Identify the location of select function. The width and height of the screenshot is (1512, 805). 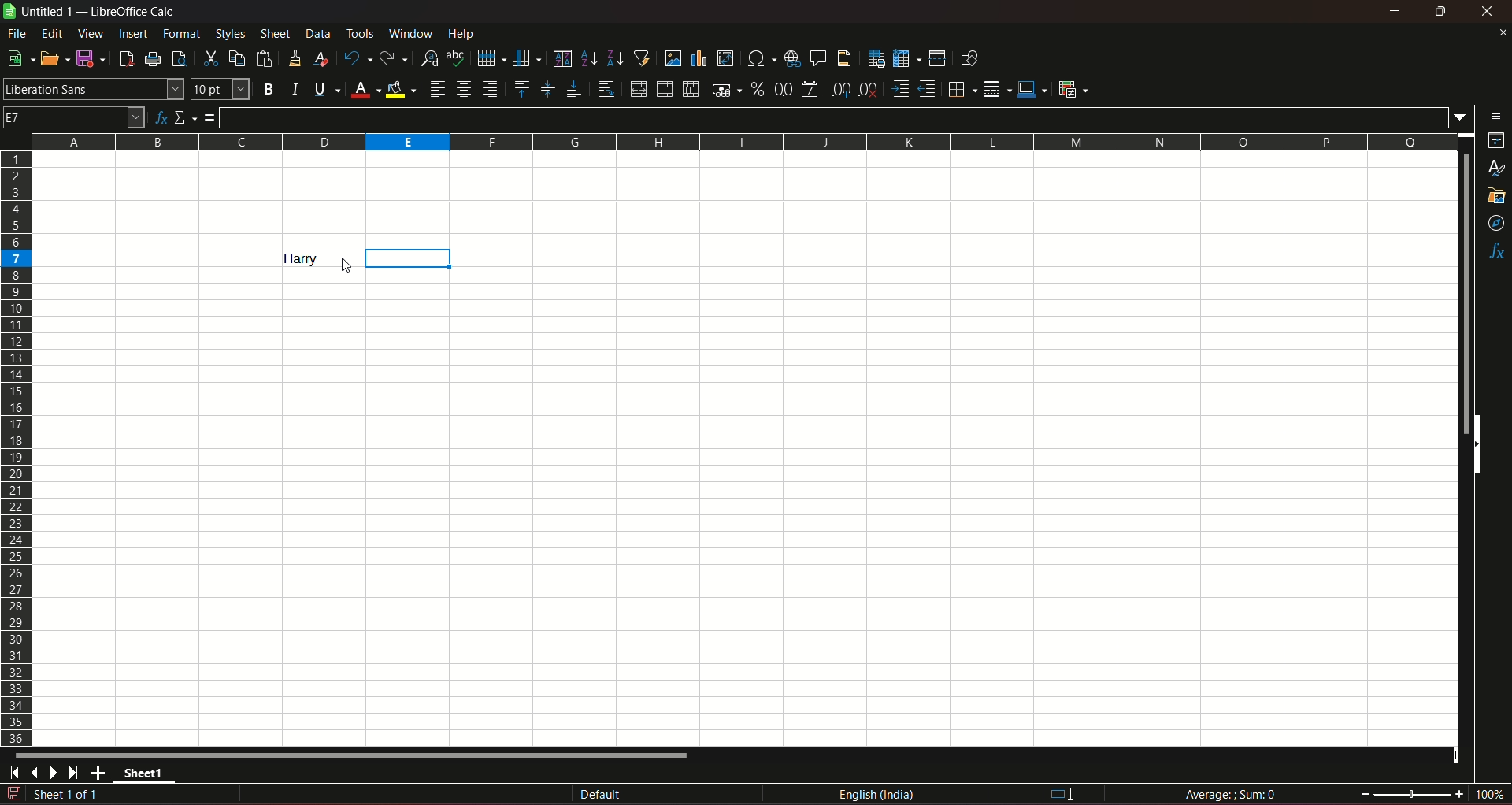
(186, 117).